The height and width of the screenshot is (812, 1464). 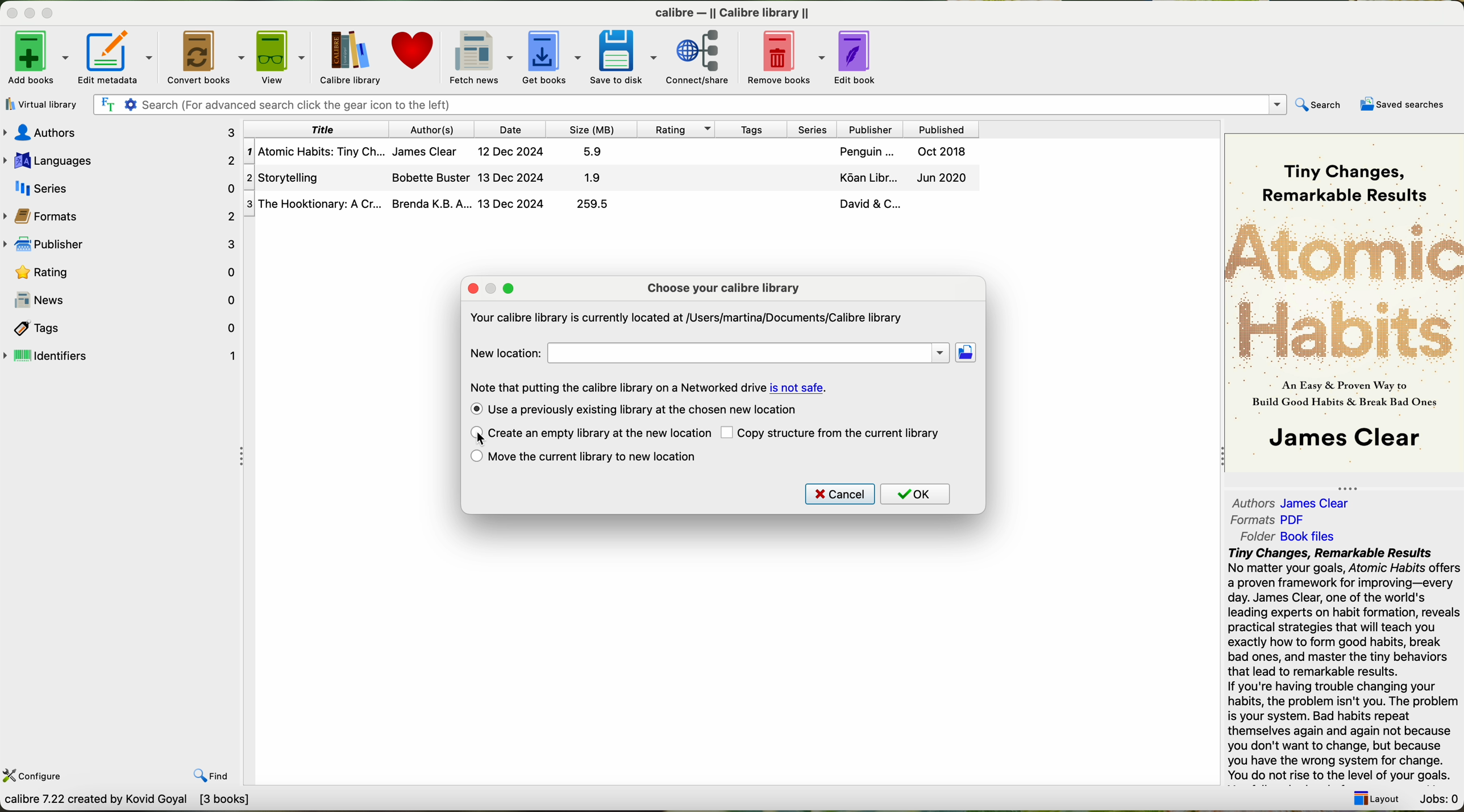 What do you see at coordinates (120, 186) in the screenshot?
I see `series` at bounding box center [120, 186].